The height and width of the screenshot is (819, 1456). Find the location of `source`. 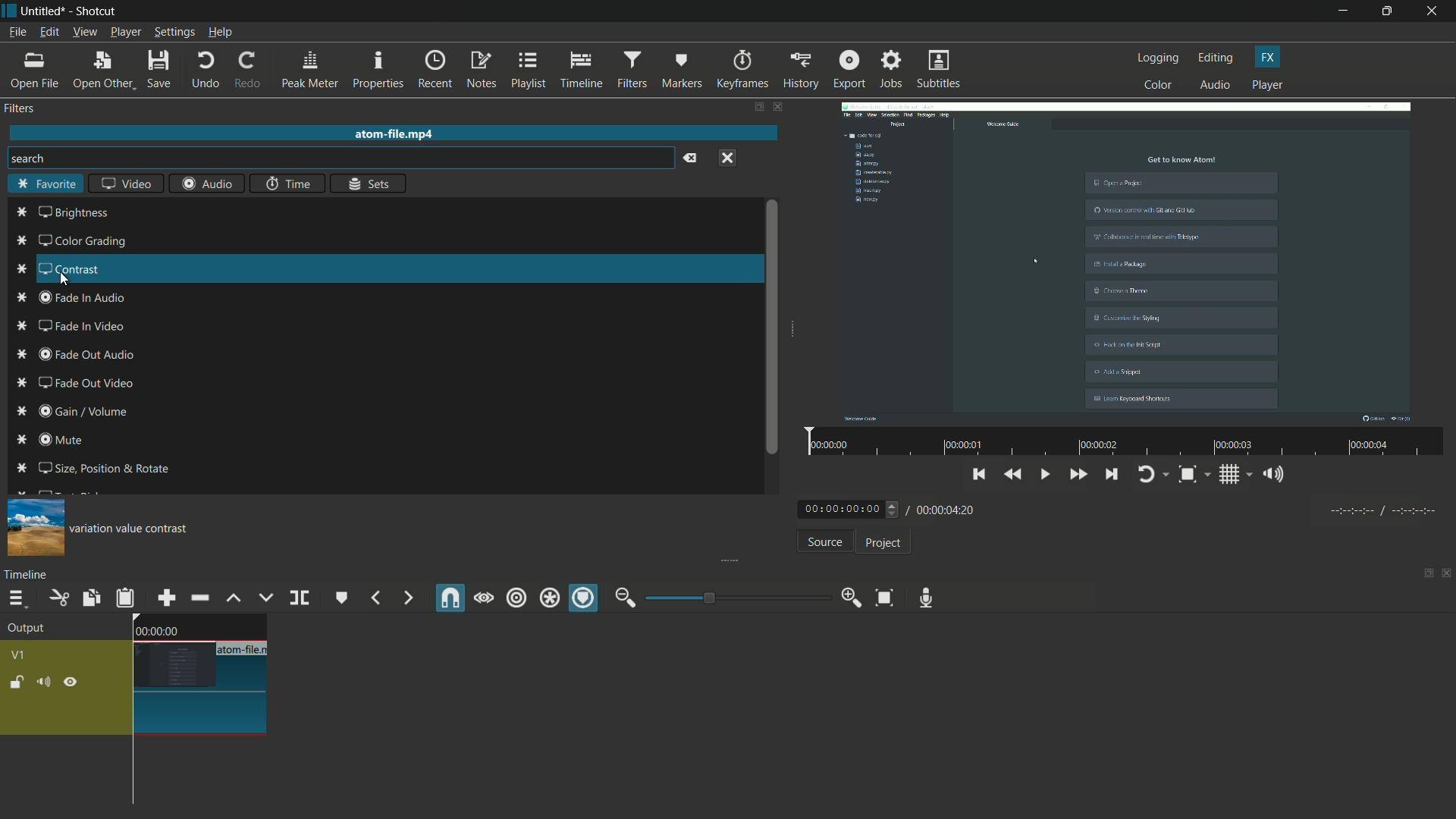

source is located at coordinates (824, 544).